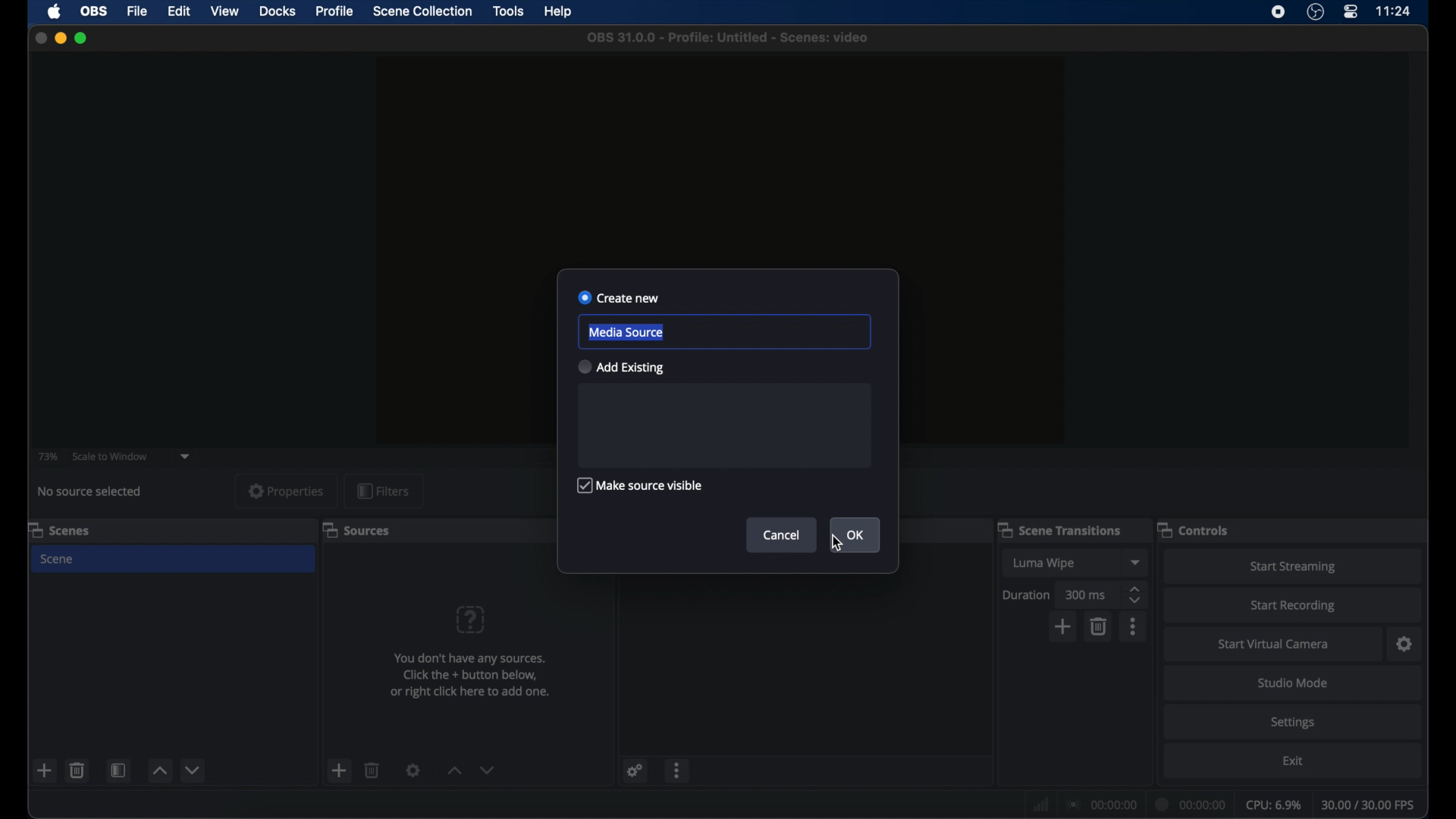 The width and height of the screenshot is (1456, 819). Describe the element at coordinates (1136, 595) in the screenshot. I see `stepper buttons` at that location.